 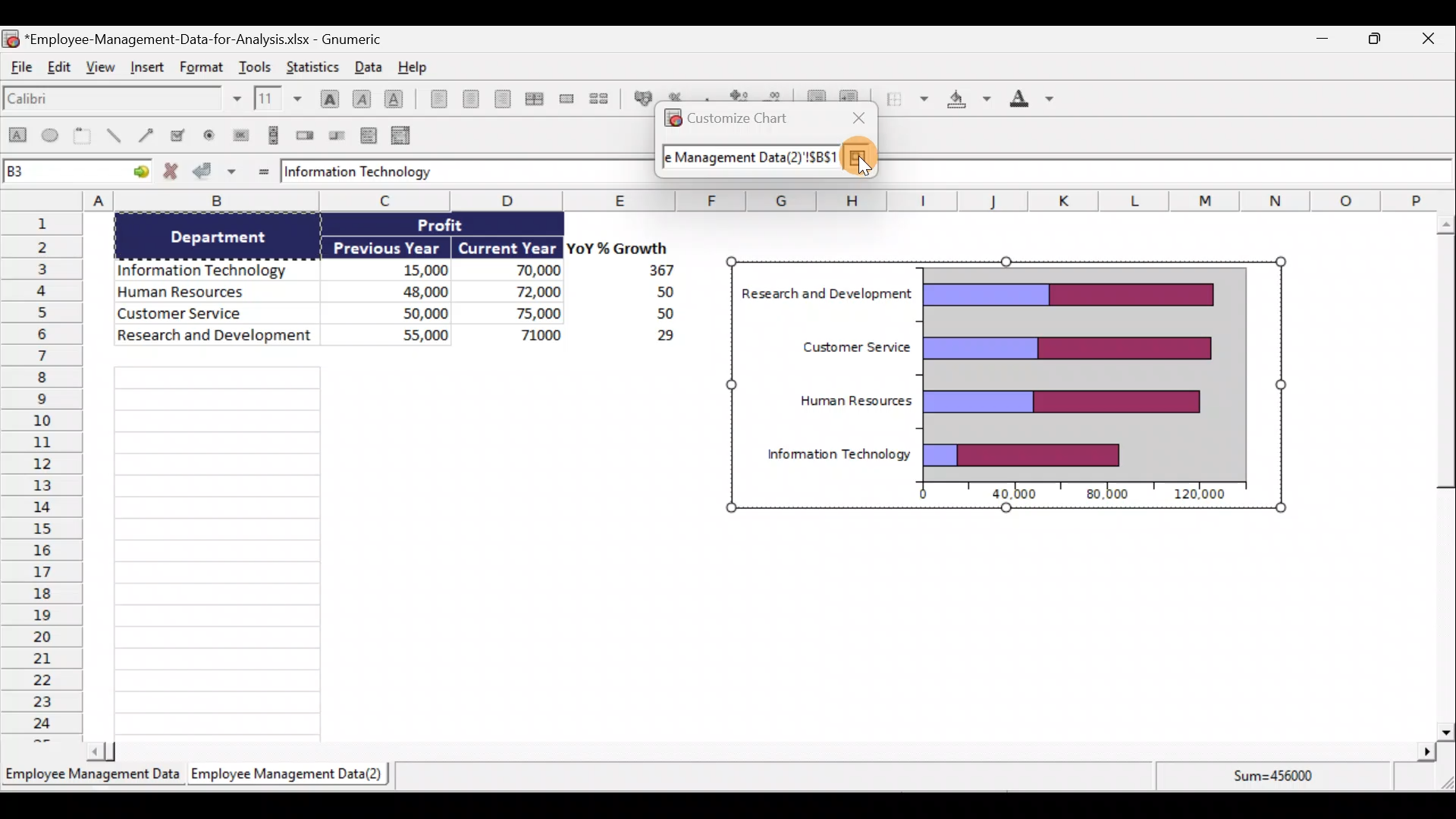 What do you see at coordinates (272, 134) in the screenshot?
I see `Create a scrollbar` at bounding box center [272, 134].